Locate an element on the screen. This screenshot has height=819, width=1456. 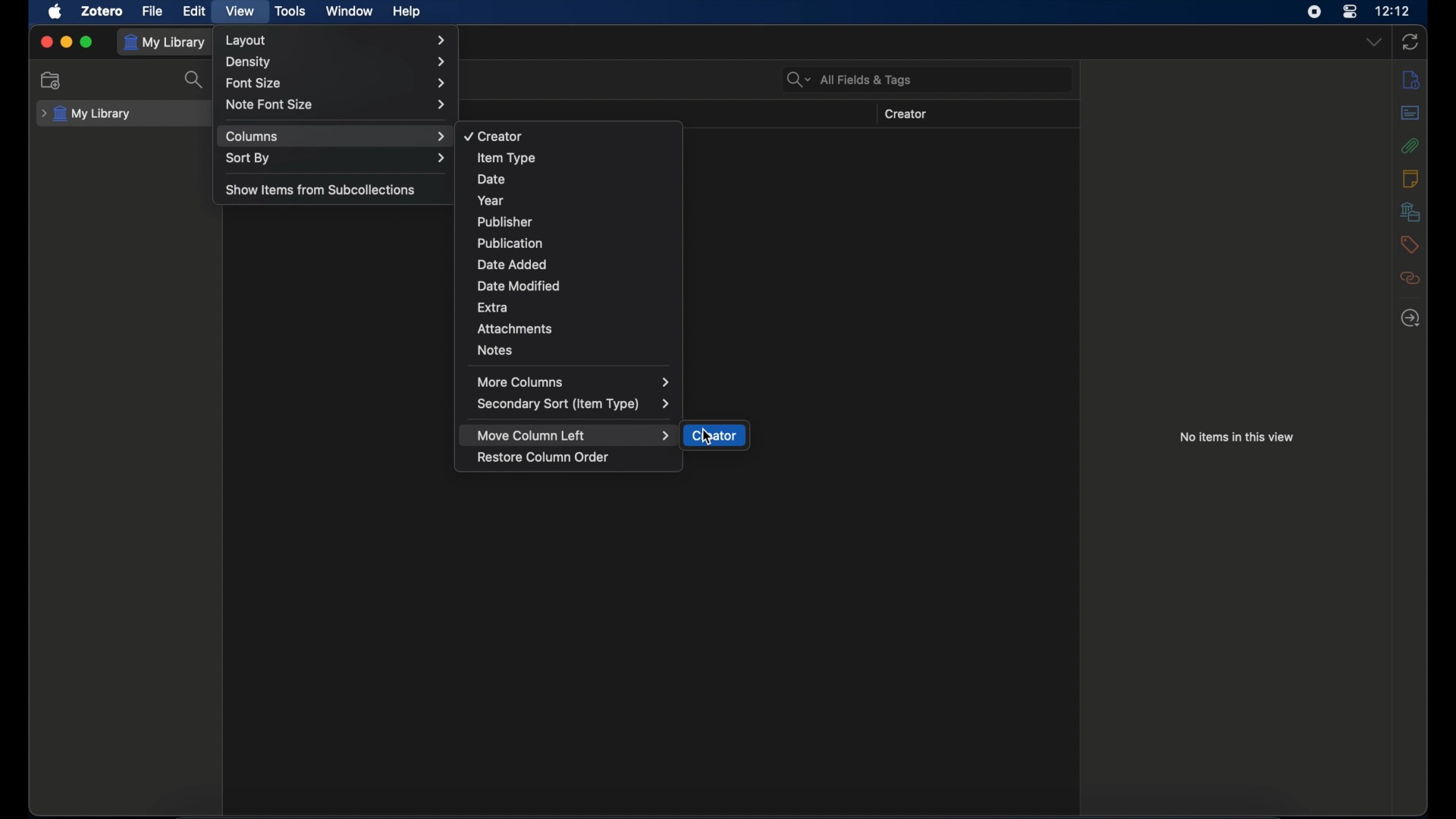
my library is located at coordinates (167, 42).